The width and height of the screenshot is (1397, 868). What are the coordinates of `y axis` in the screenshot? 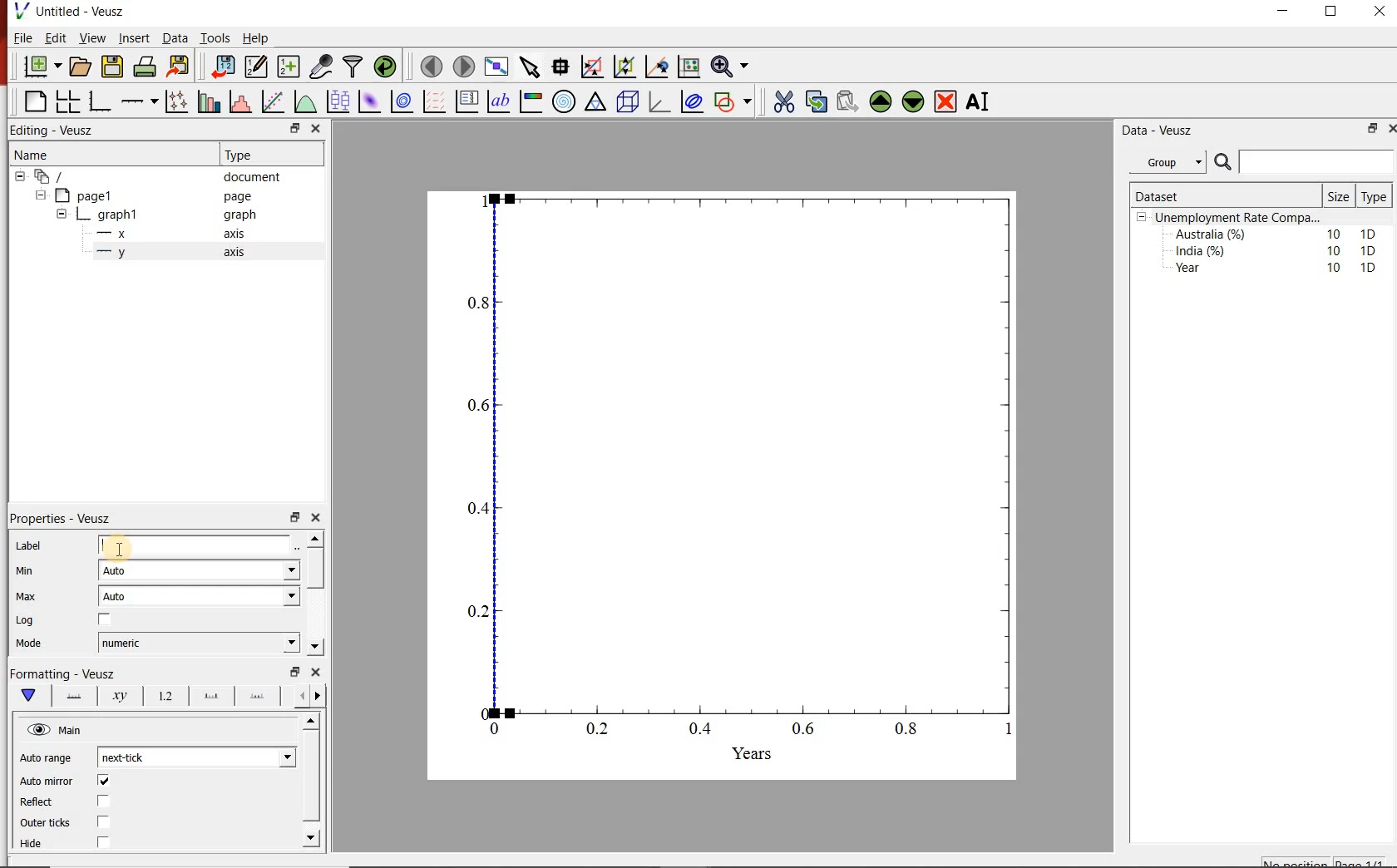 It's located at (180, 253).